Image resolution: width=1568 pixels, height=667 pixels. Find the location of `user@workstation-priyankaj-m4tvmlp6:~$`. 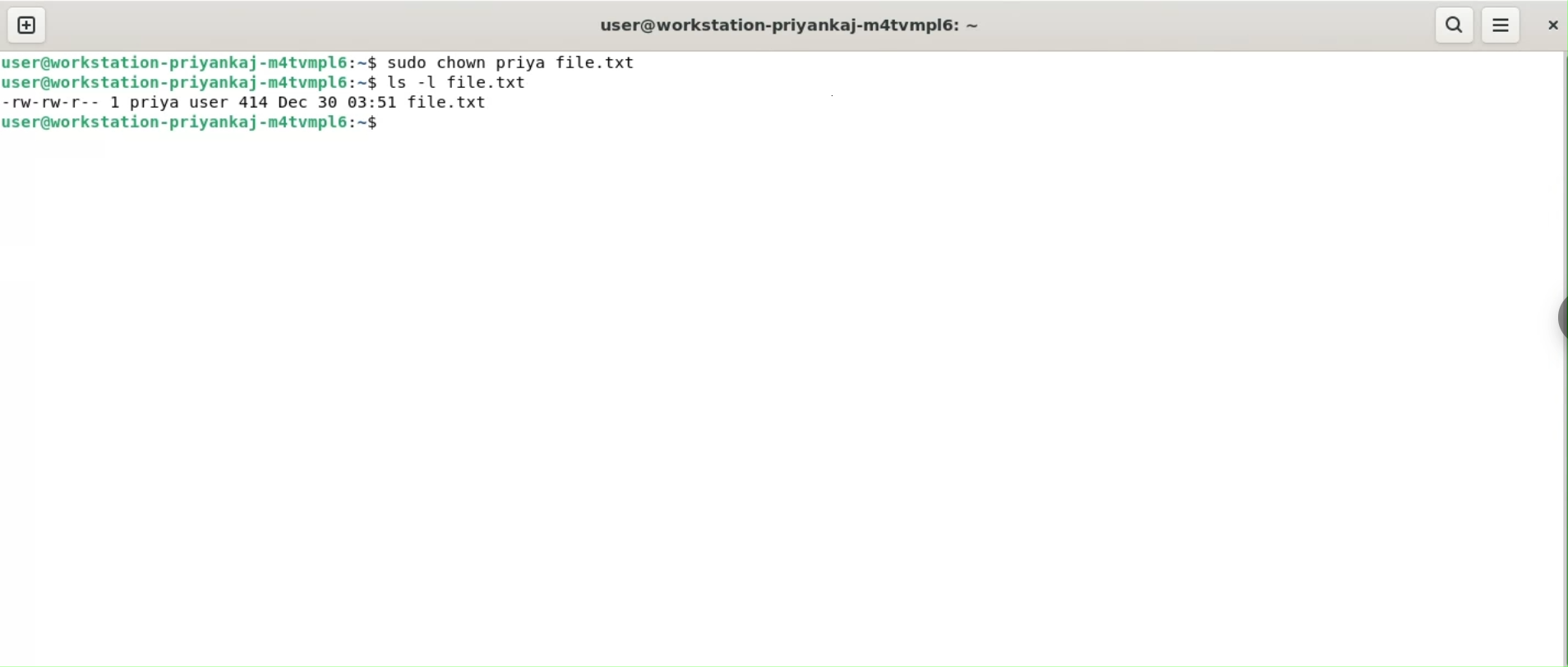

user@workstation-priyankaj-m4tvmlp6:~$ is located at coordinates (204, 124).